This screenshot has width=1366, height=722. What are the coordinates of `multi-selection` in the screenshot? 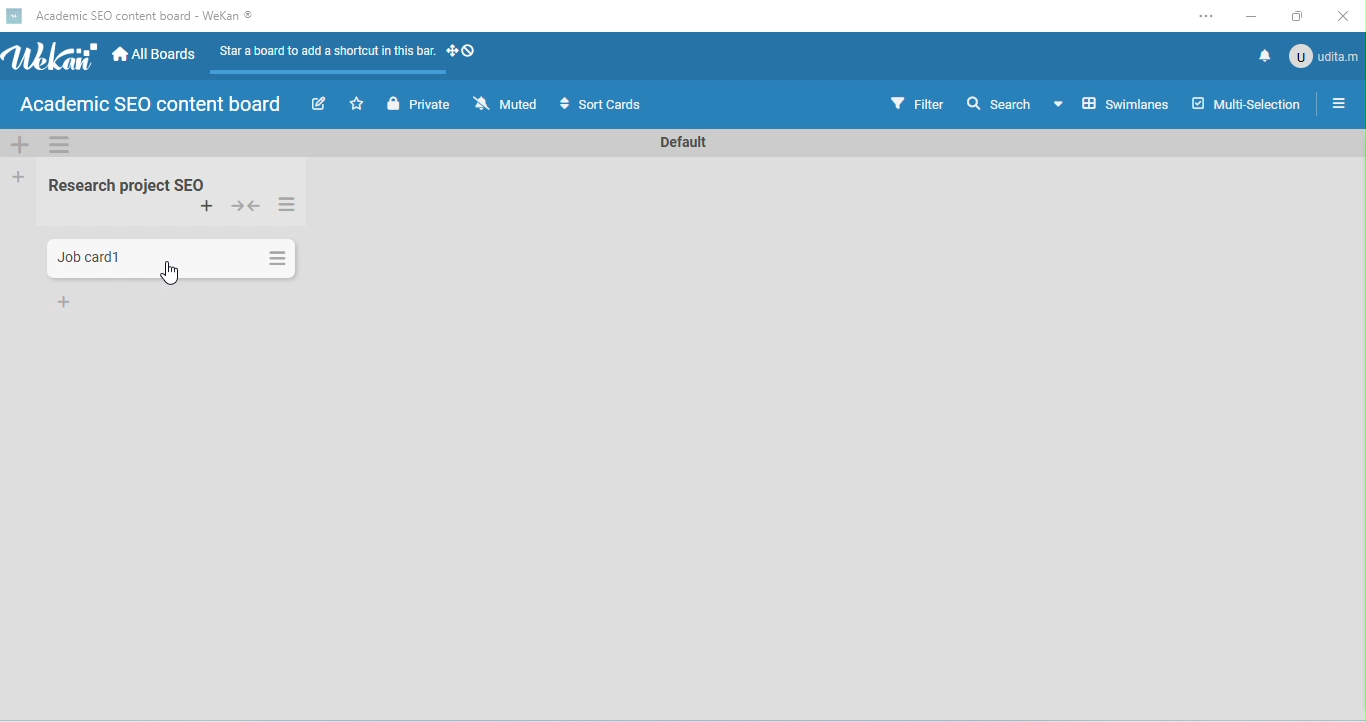 It's located at (1244, 105).